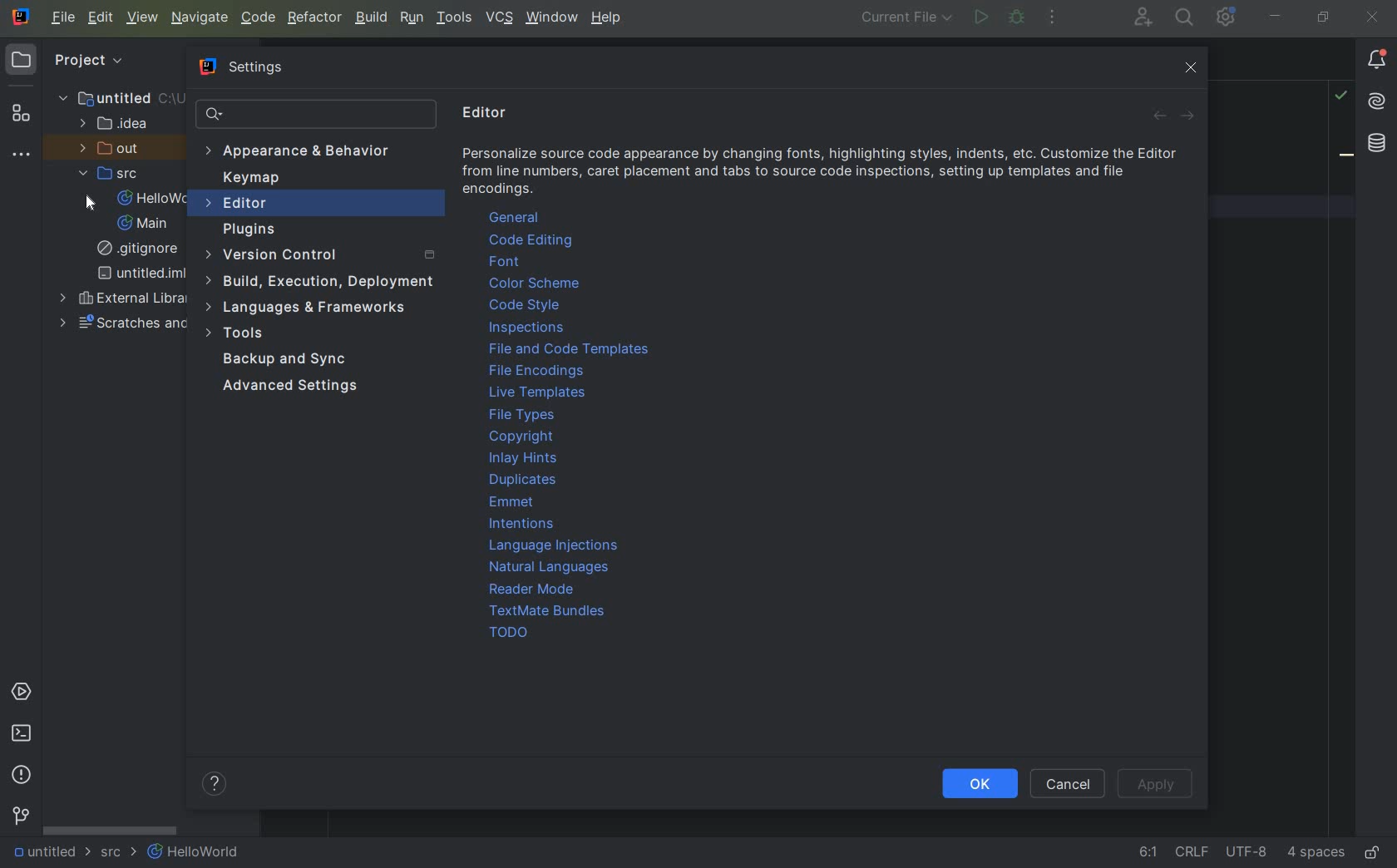  Describe the element at coordinates (1144, 16) in the screenshot. I see `code with me` at that location.